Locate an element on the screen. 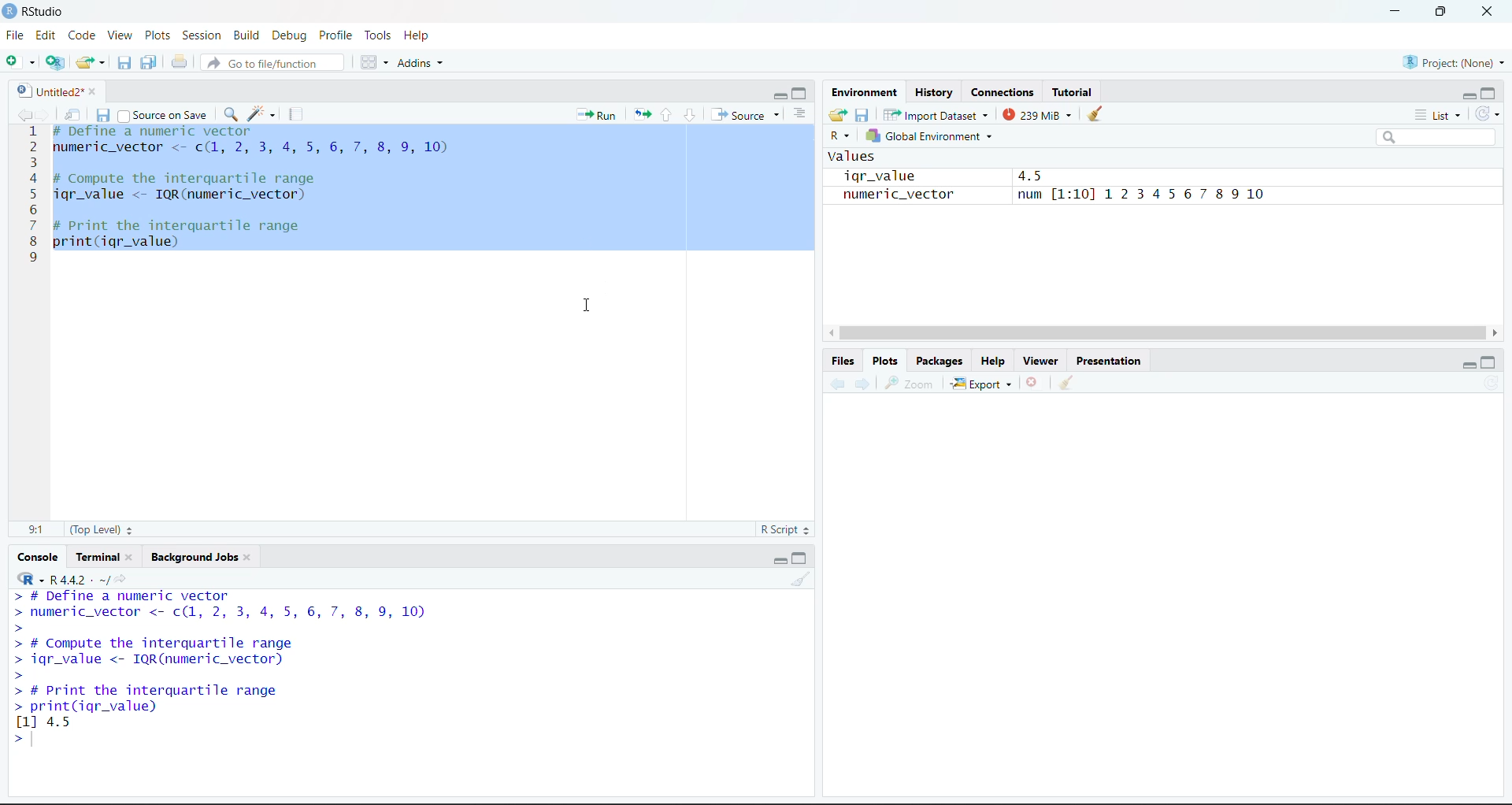  1:1 is located at coordinates (36, 528).